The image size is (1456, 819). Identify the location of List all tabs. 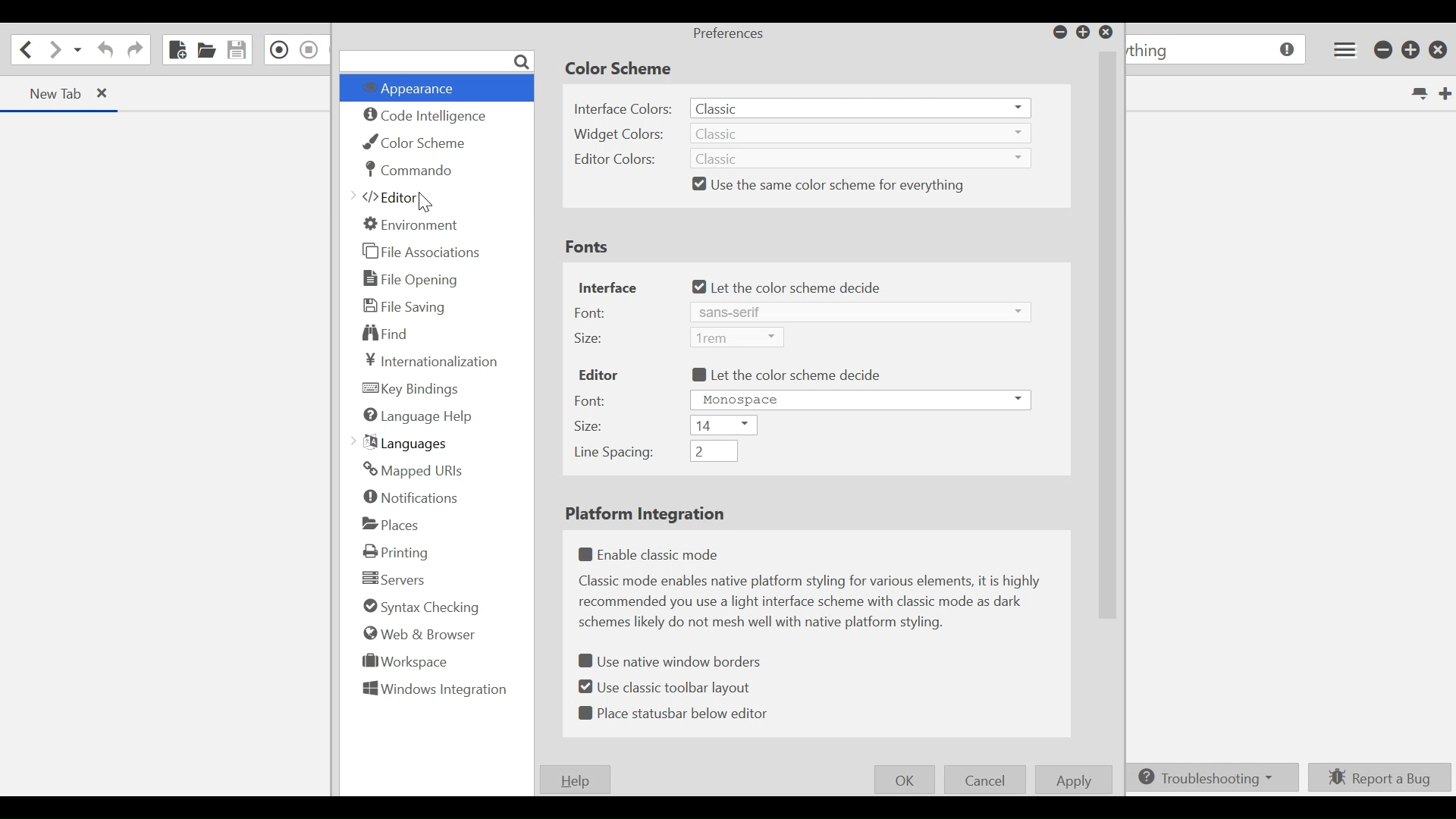
(1418, 92).